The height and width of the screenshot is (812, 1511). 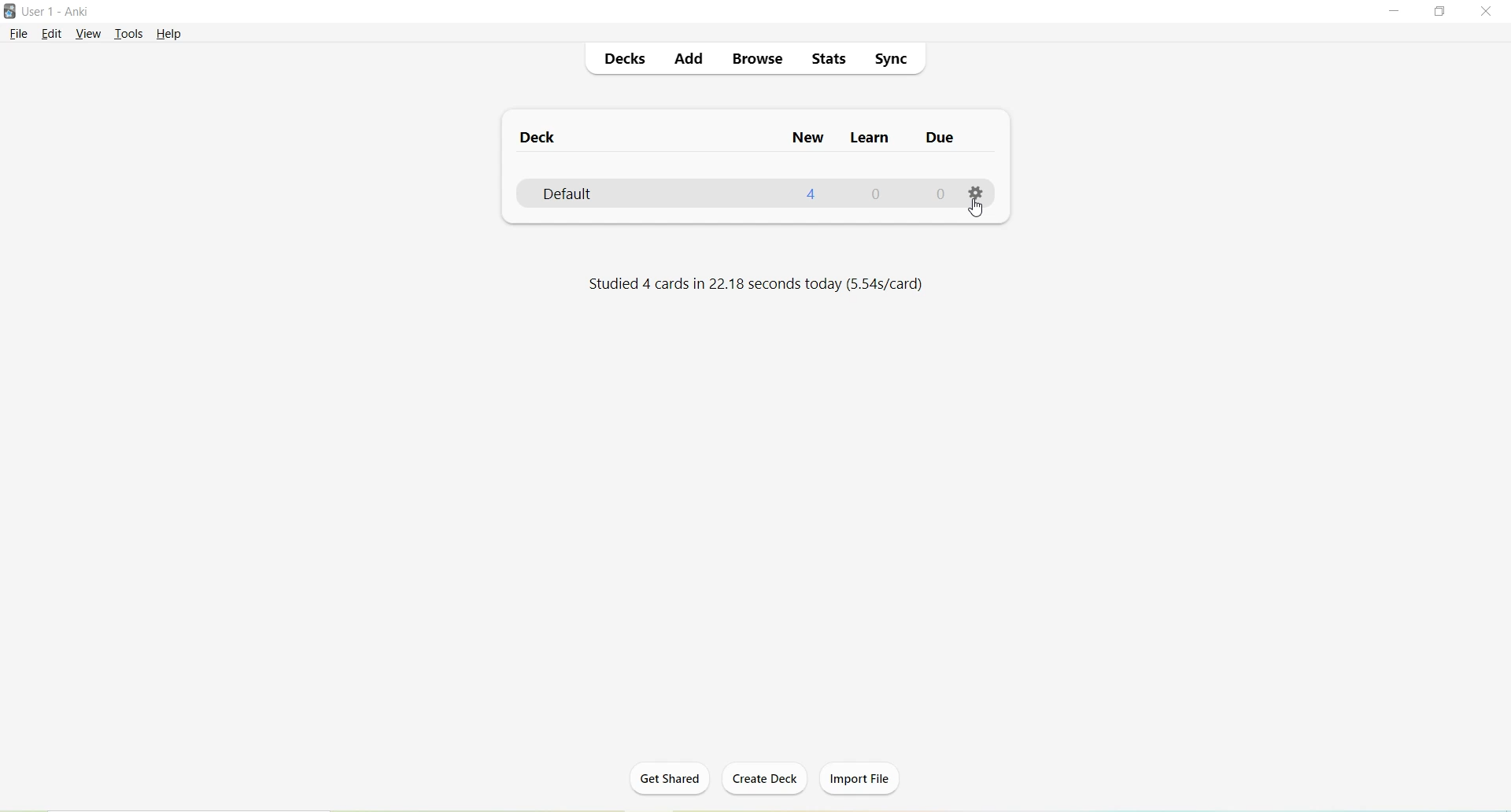 I want to click on Default, so click(x=586, y=194).